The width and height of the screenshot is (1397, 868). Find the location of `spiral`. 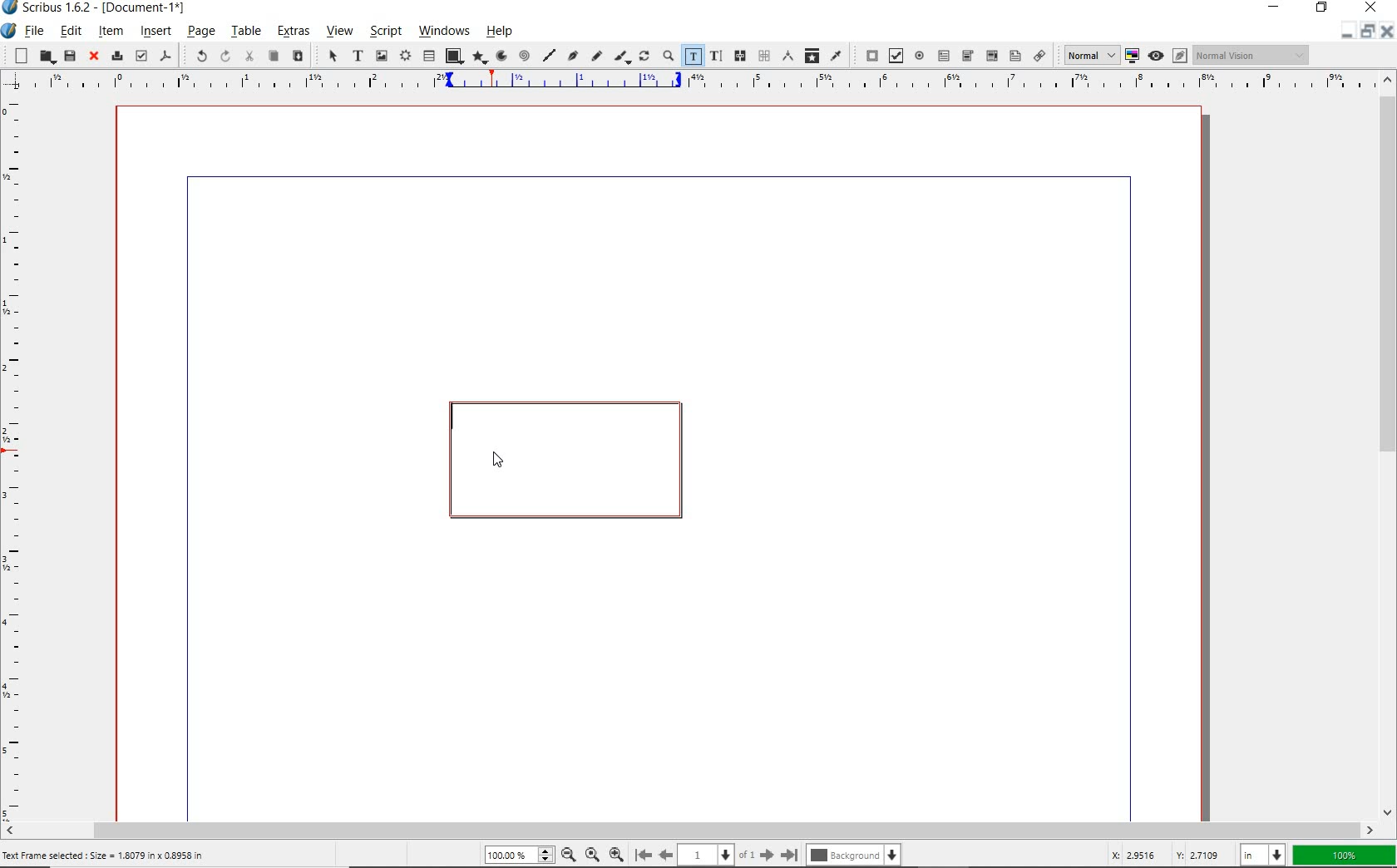

spiral is located at coordinates (525, 55).